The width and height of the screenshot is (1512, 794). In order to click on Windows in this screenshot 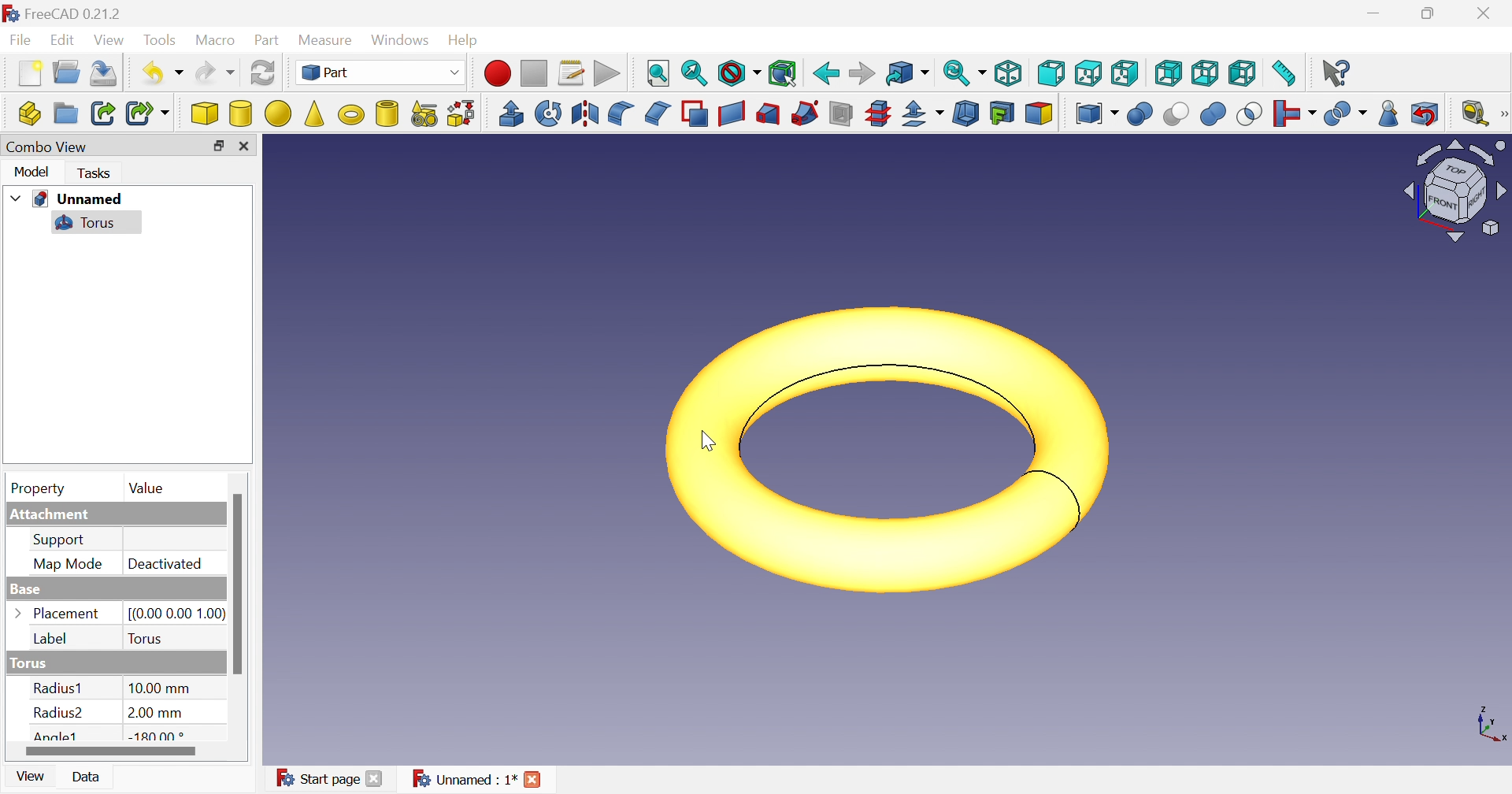, I will do `click(400, 42)`.